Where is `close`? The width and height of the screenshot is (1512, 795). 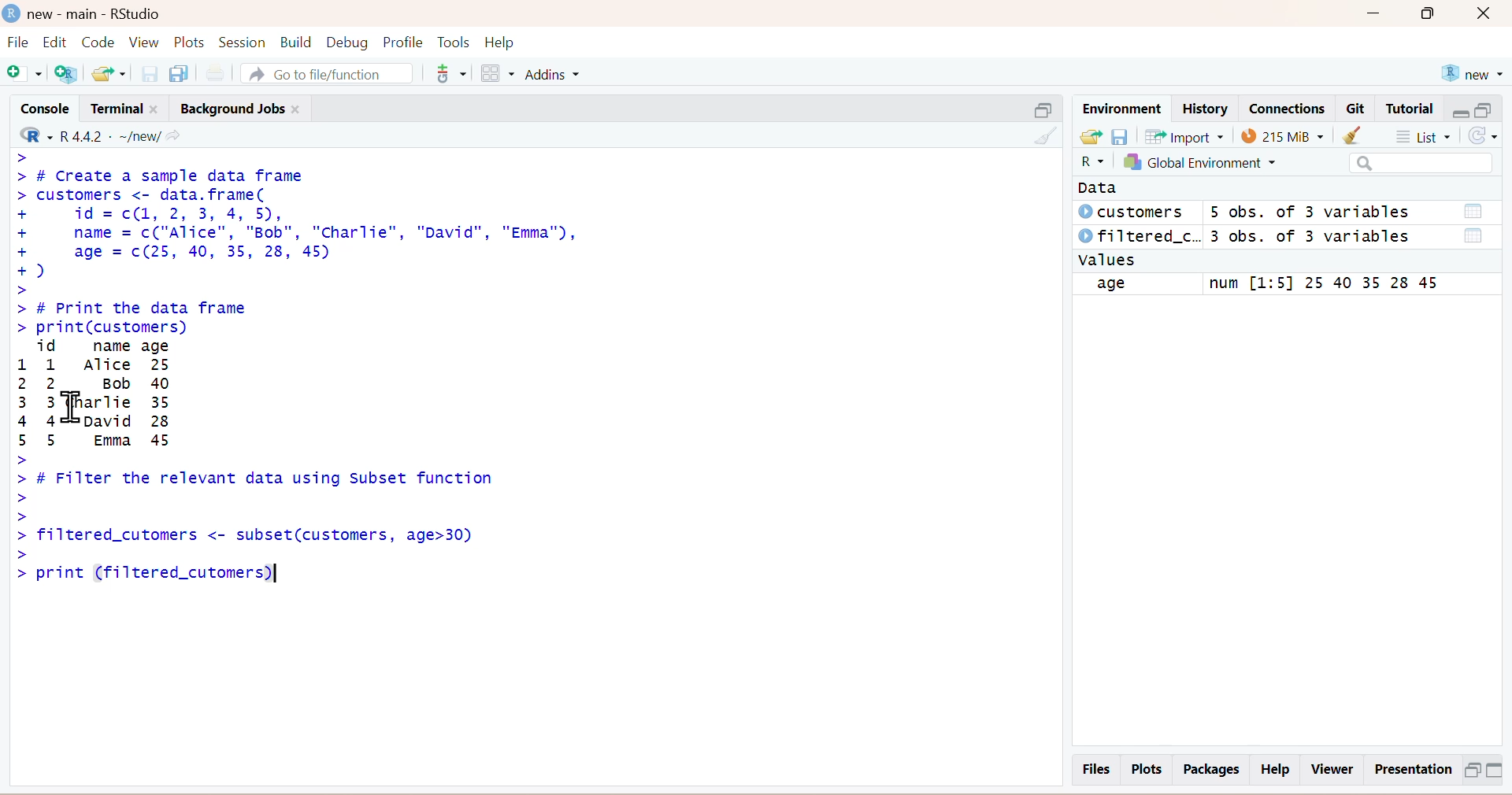 close is located at coordinates (1490, 15).